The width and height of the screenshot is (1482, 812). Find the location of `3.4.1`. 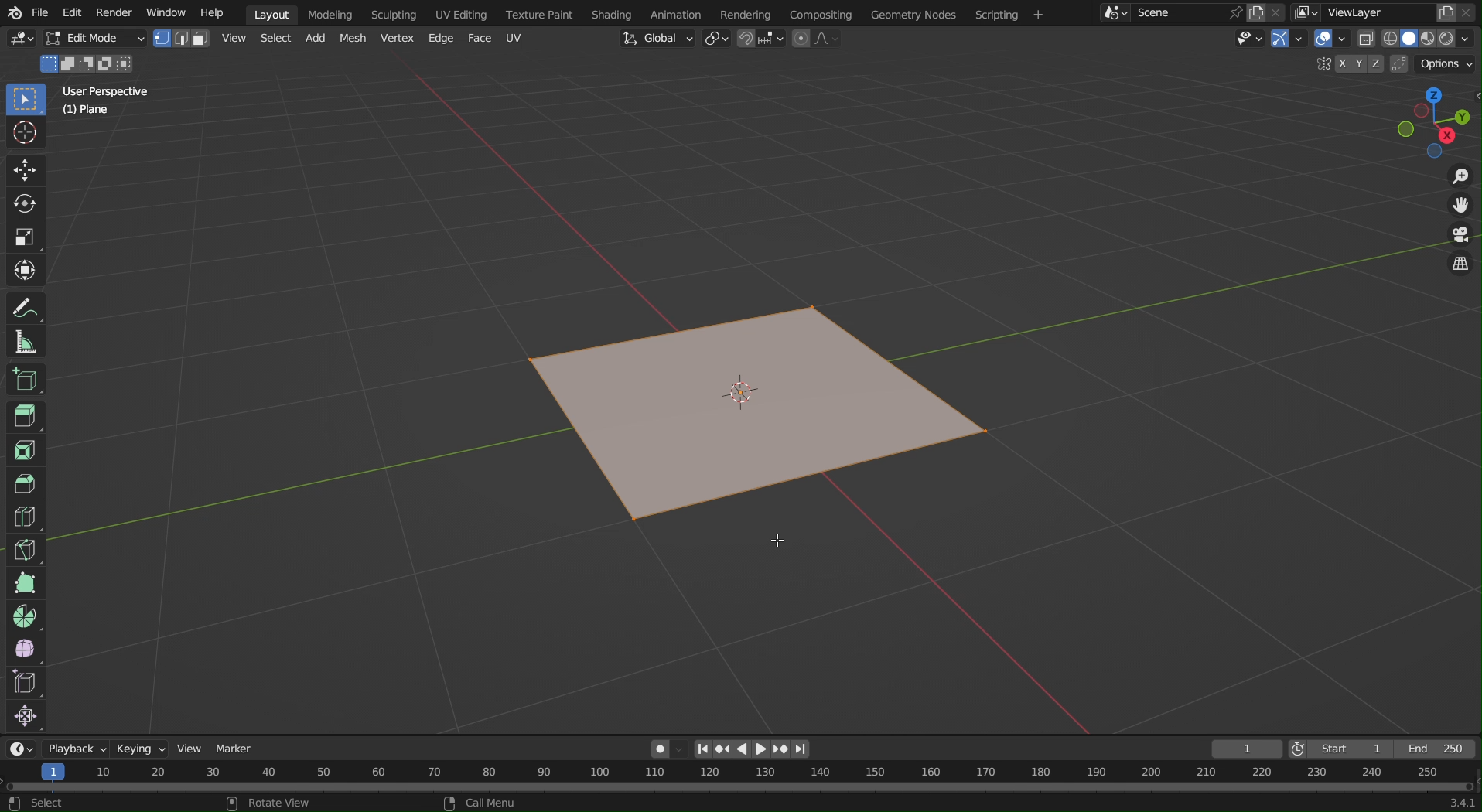

3.4.1 is located at coordinates (1453, 803).